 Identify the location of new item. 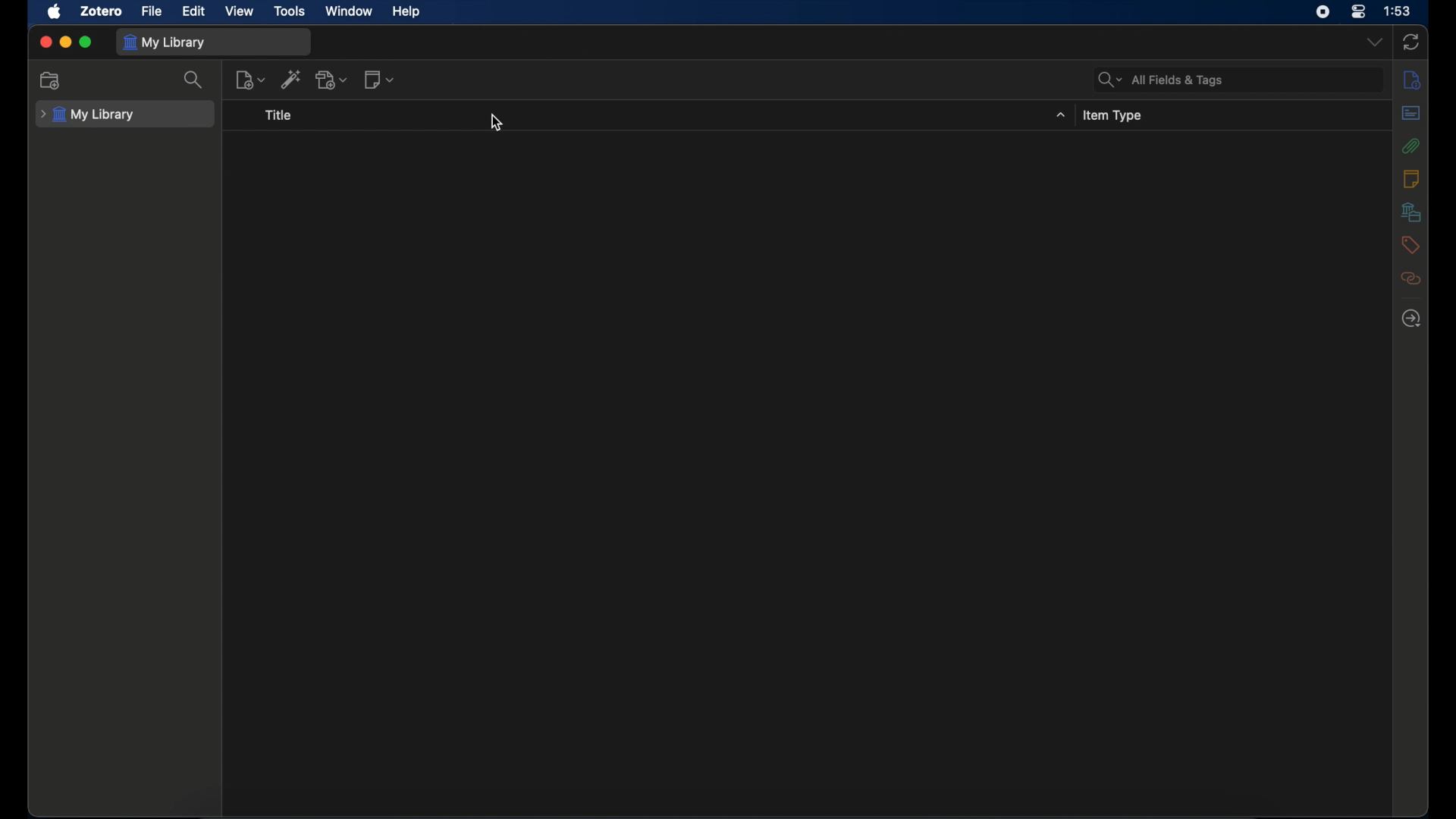
(250, 80).